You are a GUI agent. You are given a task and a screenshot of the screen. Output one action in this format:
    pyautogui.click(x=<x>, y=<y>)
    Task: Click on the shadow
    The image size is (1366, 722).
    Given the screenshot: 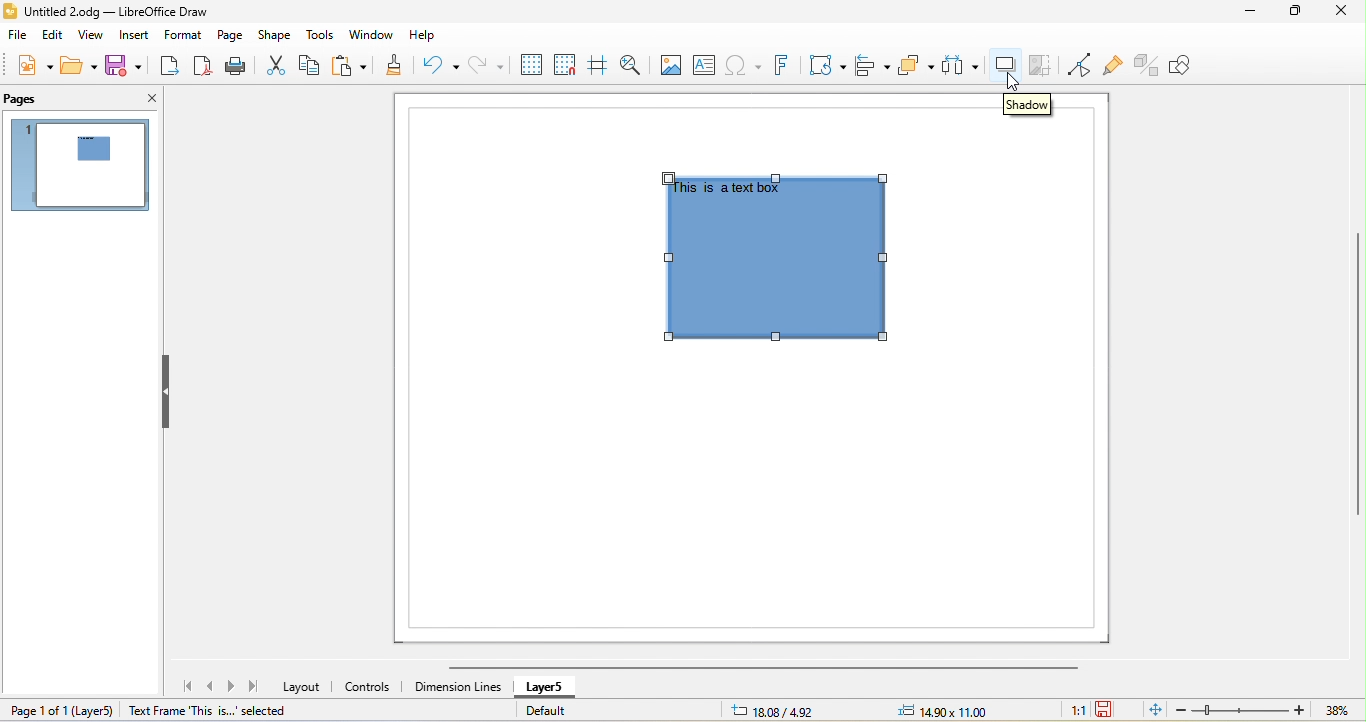 What is the action you would take?
    pyautogui.click(x=1028, y=107)
    